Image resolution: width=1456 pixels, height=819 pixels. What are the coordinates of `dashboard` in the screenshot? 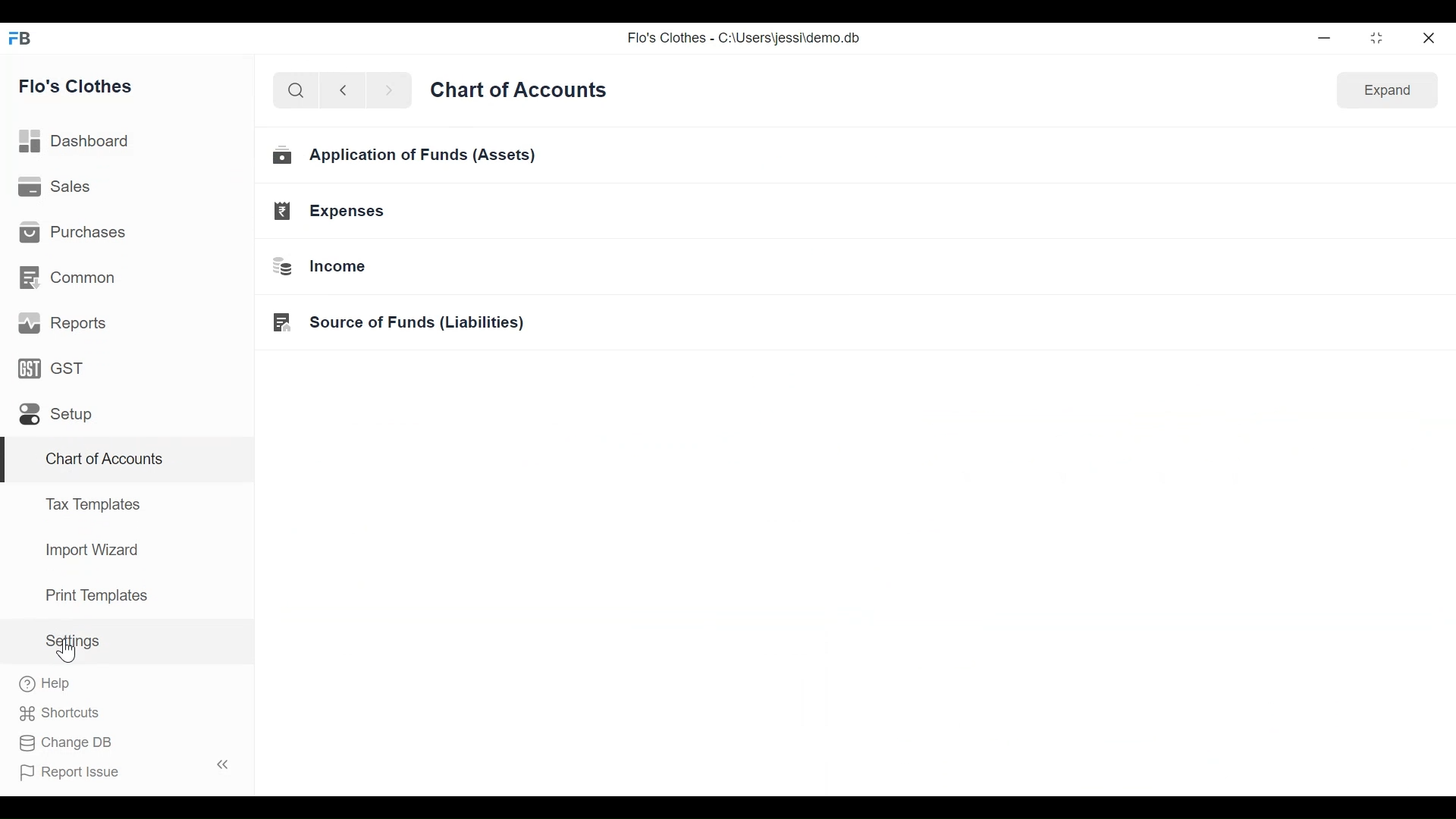 It's located at (75, 141).